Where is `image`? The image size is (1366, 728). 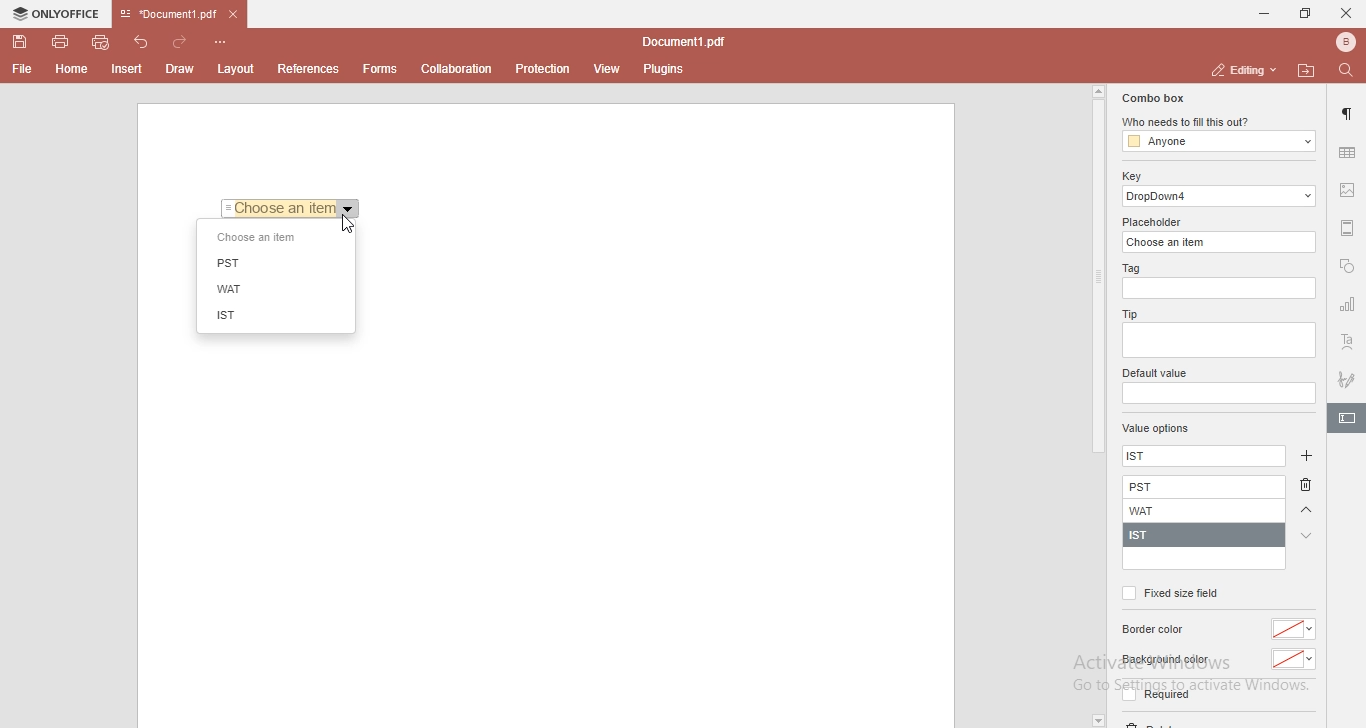
image is located at coordinates (1349, 192).